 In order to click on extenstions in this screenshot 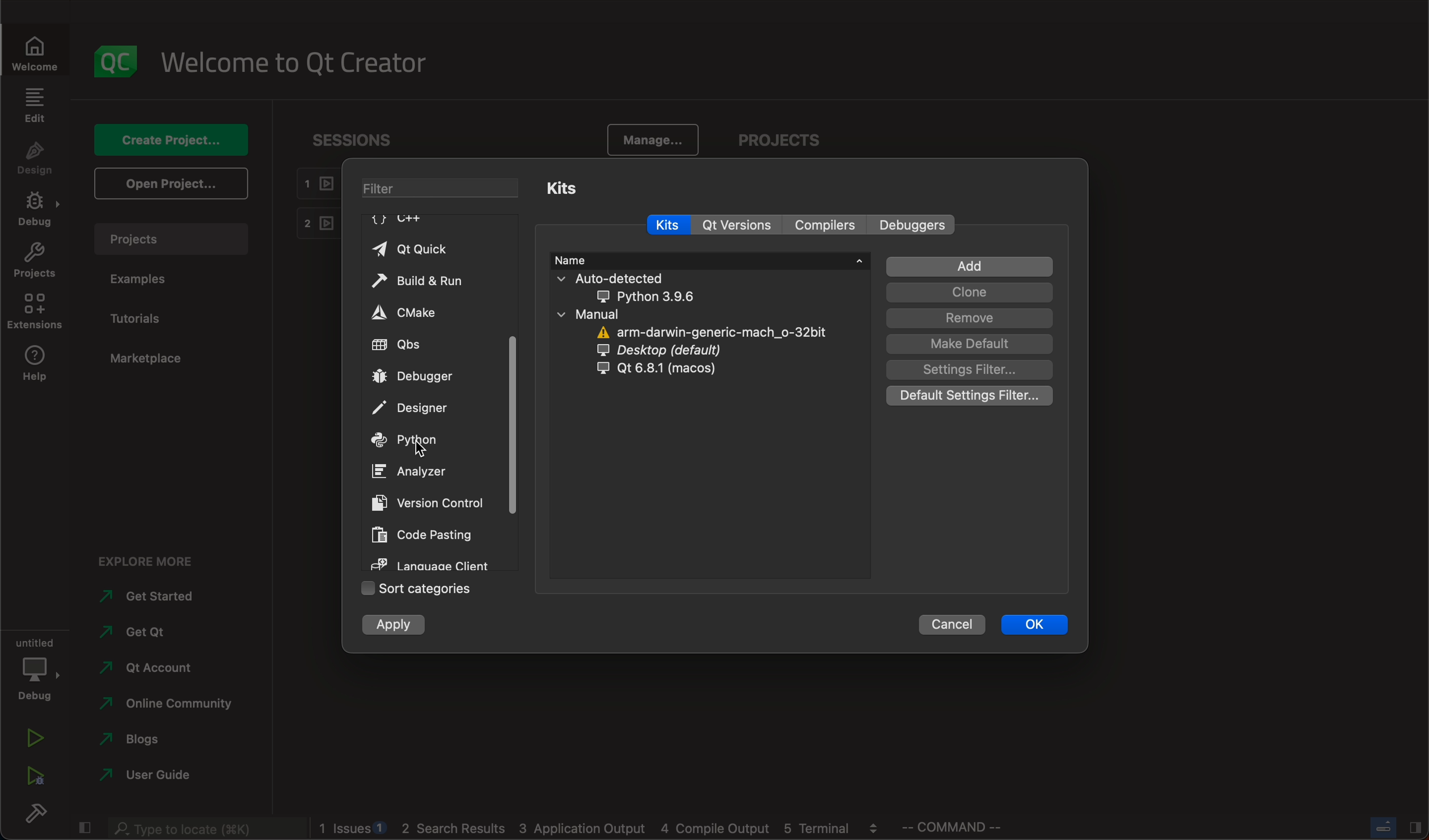, I will do `click(33, 311)`.